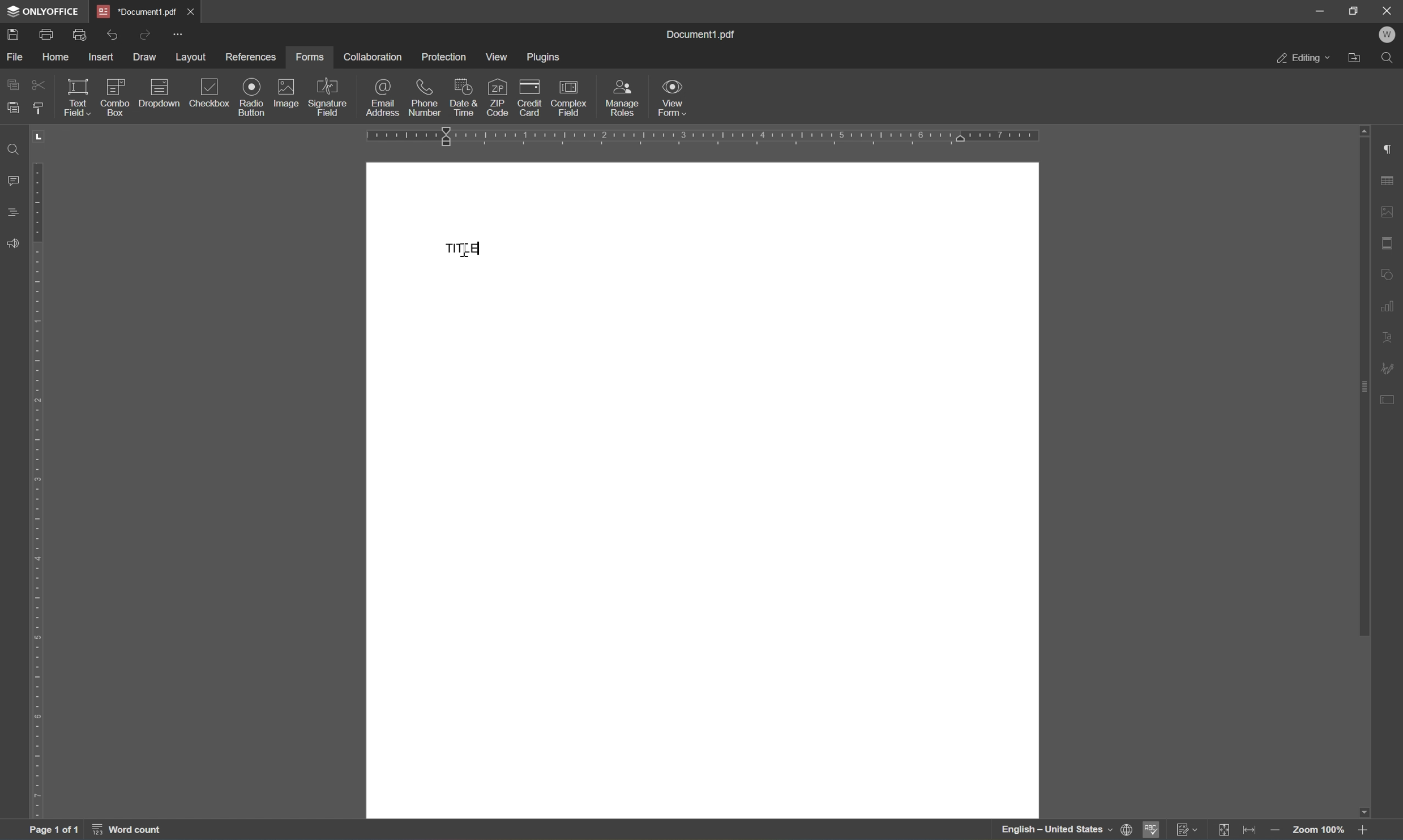 The height and width of the screenshot is (840, 1403). Describe the element at coordinates (77, 96) in the screenshot. I see `text field` at that location.